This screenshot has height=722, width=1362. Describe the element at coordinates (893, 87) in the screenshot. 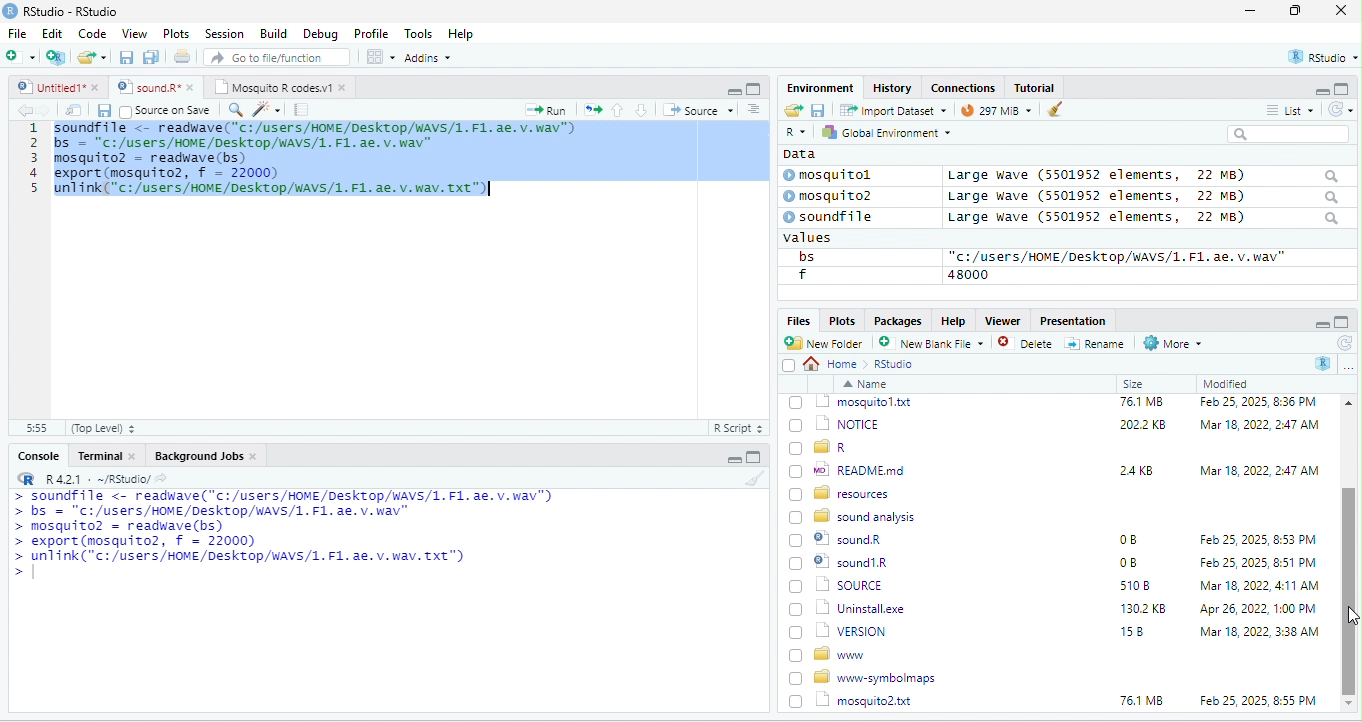

I see `History` at that location.